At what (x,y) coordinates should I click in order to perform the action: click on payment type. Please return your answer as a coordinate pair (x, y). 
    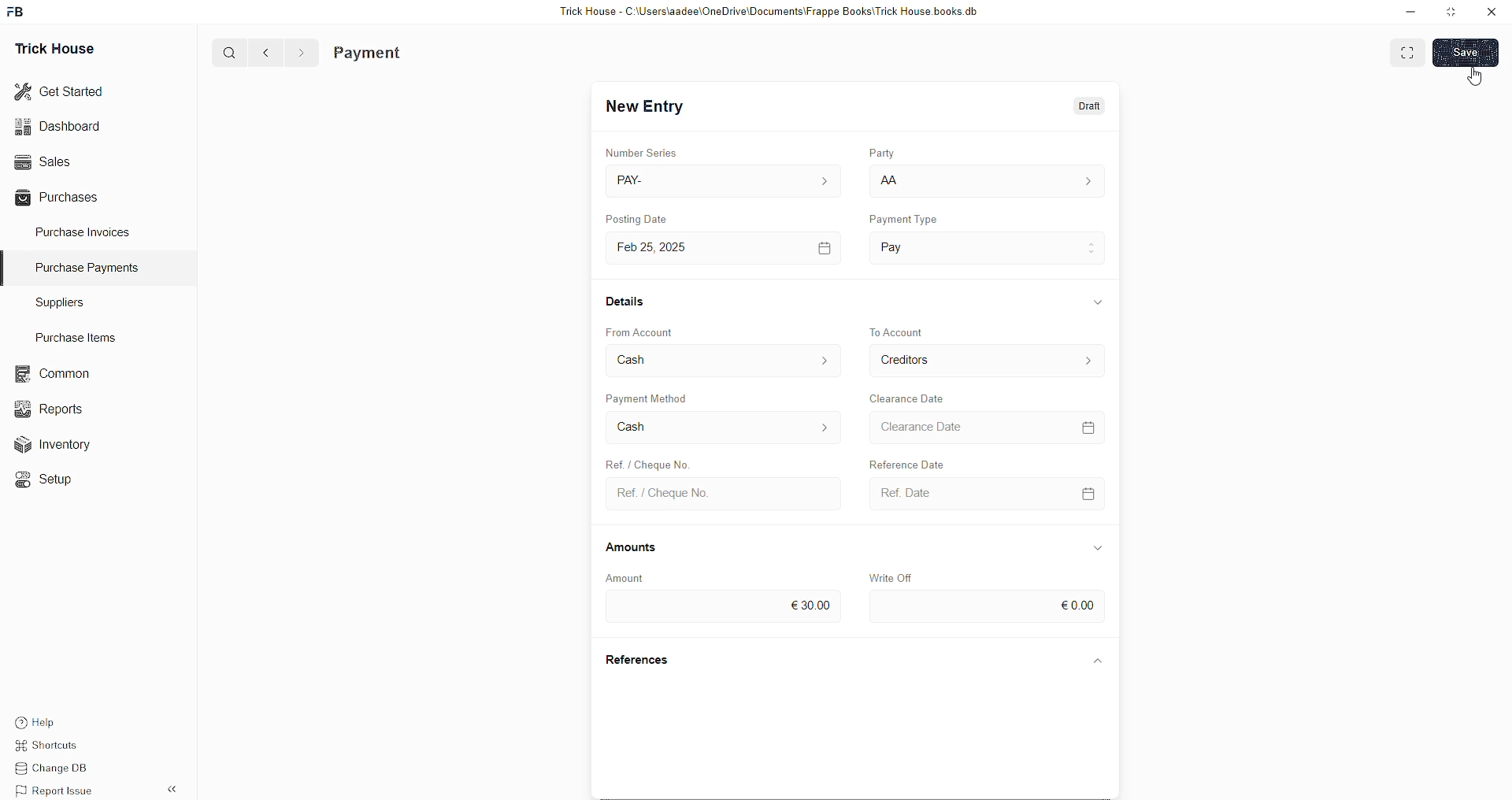
    Looking at the image, I should click on (909, 220).